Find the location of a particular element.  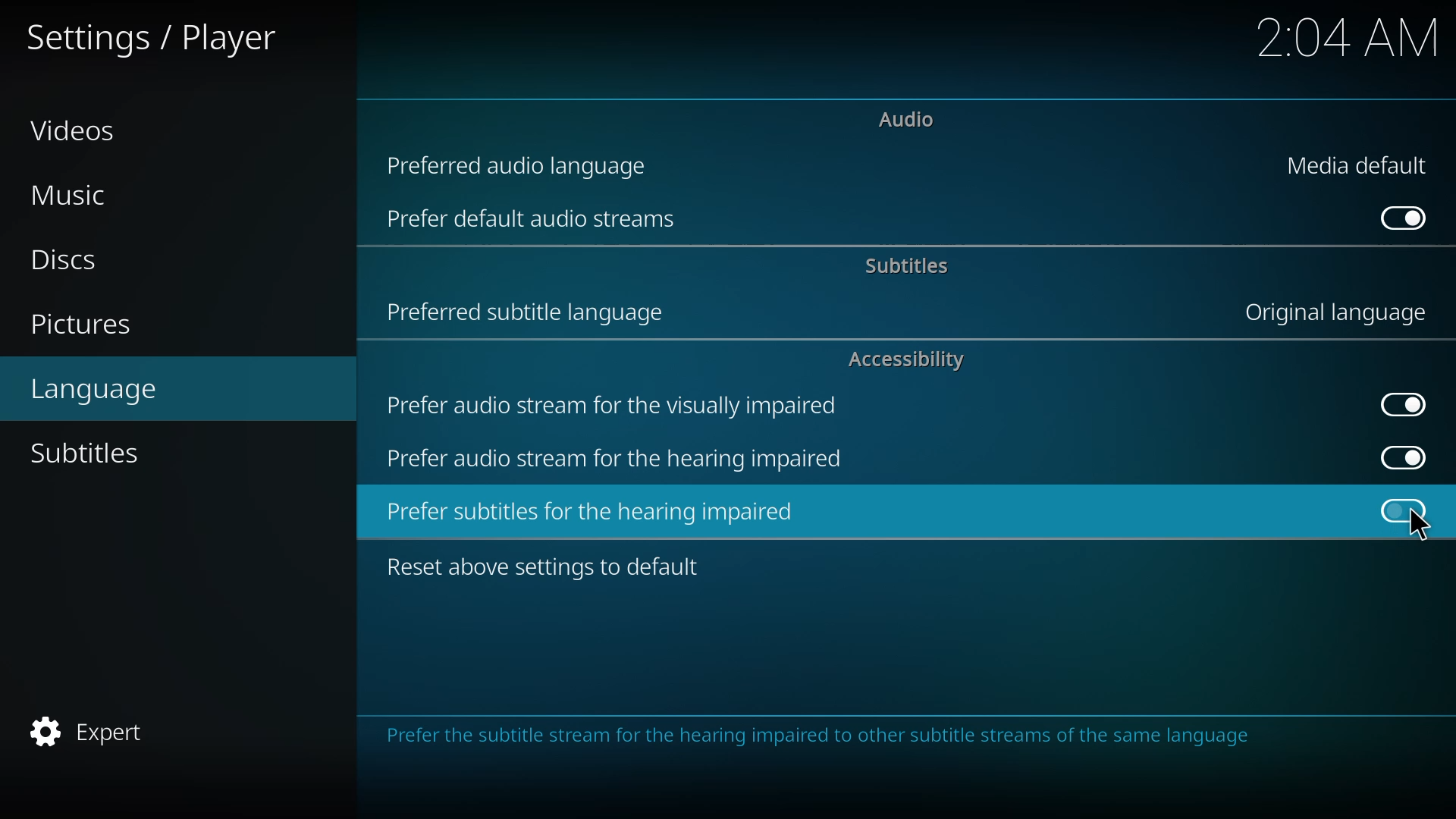

music is located at coordinates (73, 194).